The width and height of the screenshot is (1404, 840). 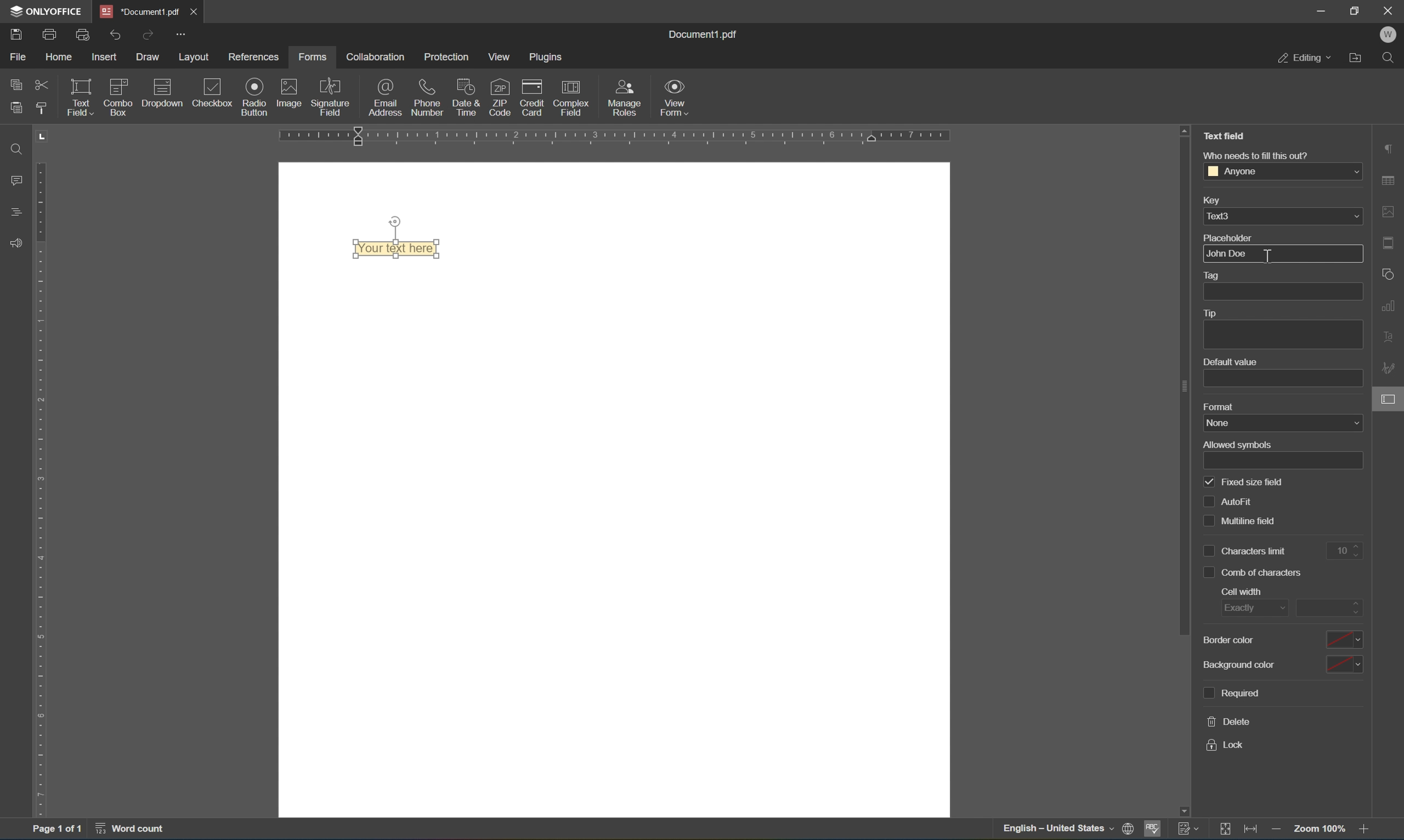 What do you see at coordinates (48, 10) in the screenshot?
I see `onlyoffice` at bounding box center [48, 10].